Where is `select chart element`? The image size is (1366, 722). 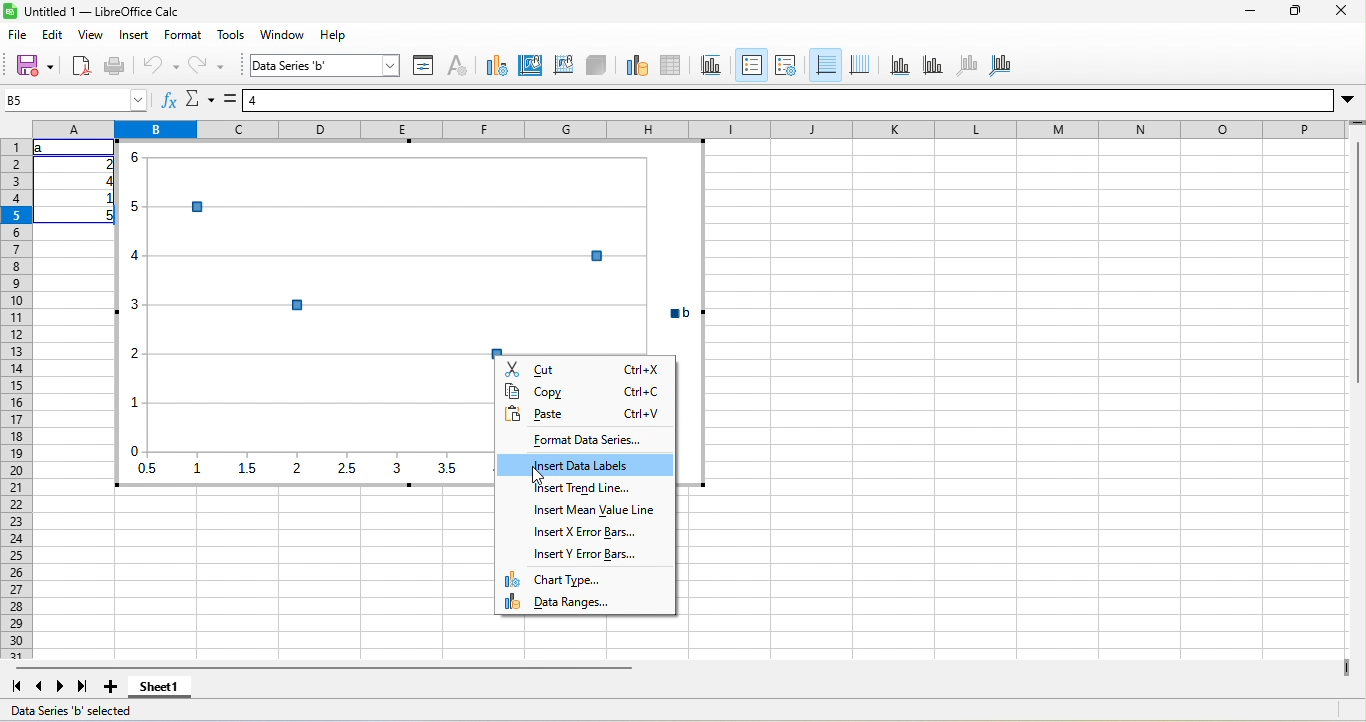 select chart element is located at coordinates (326, 65).